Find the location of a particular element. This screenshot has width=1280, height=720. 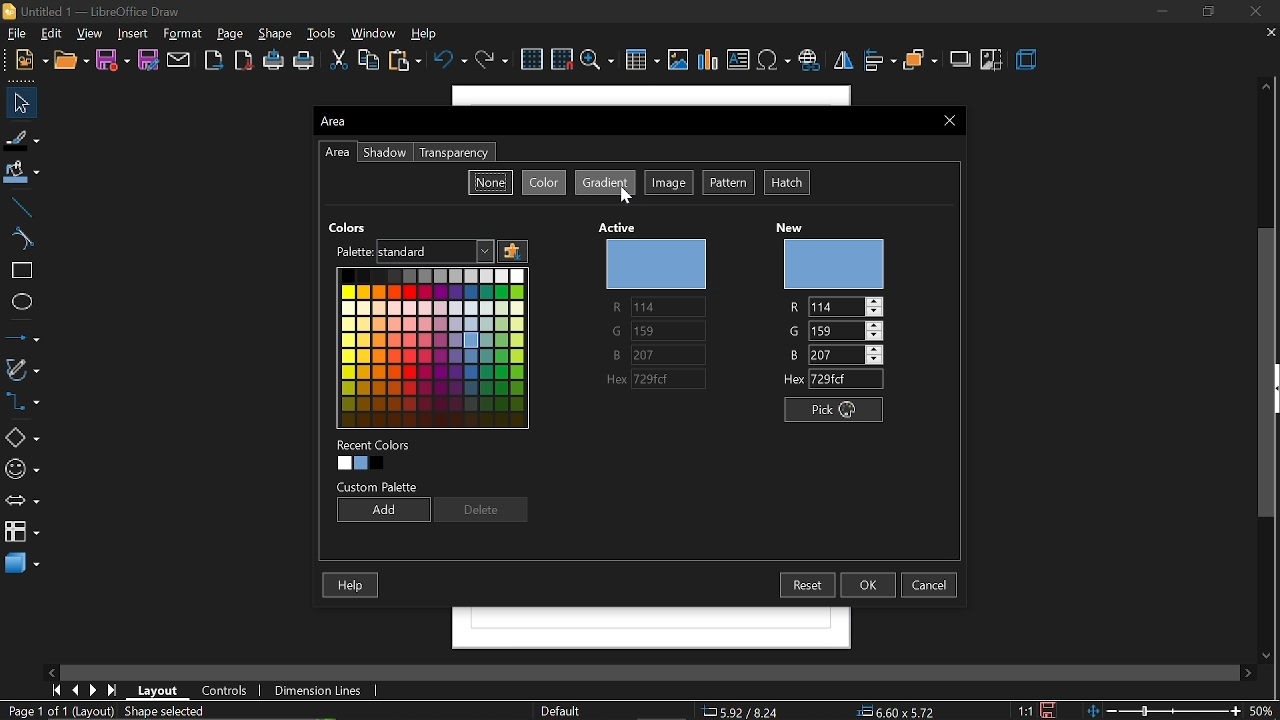

active B is located at coordinates (650, 354).